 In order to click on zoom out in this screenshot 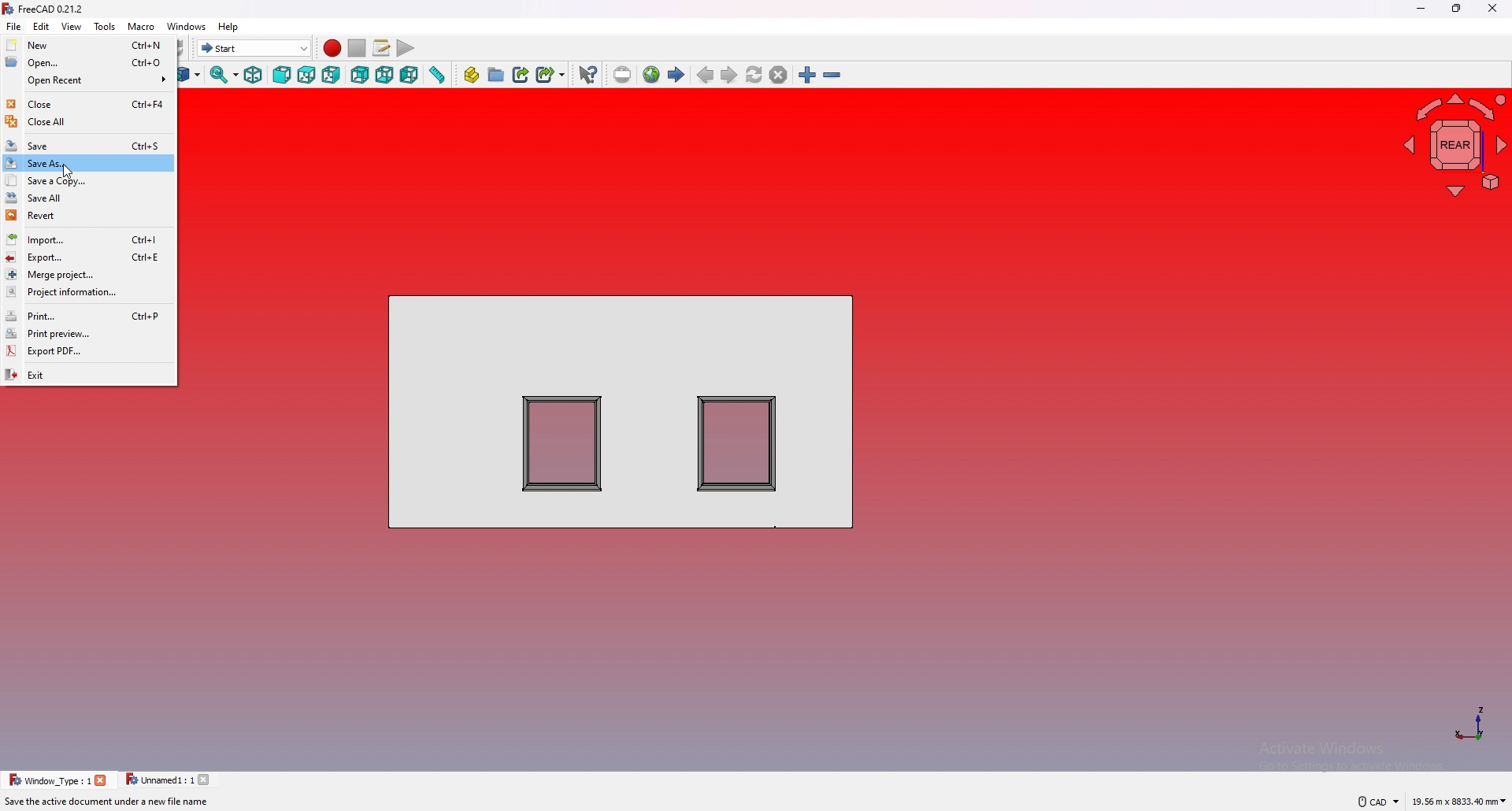, I will do `click(832, 76)`.